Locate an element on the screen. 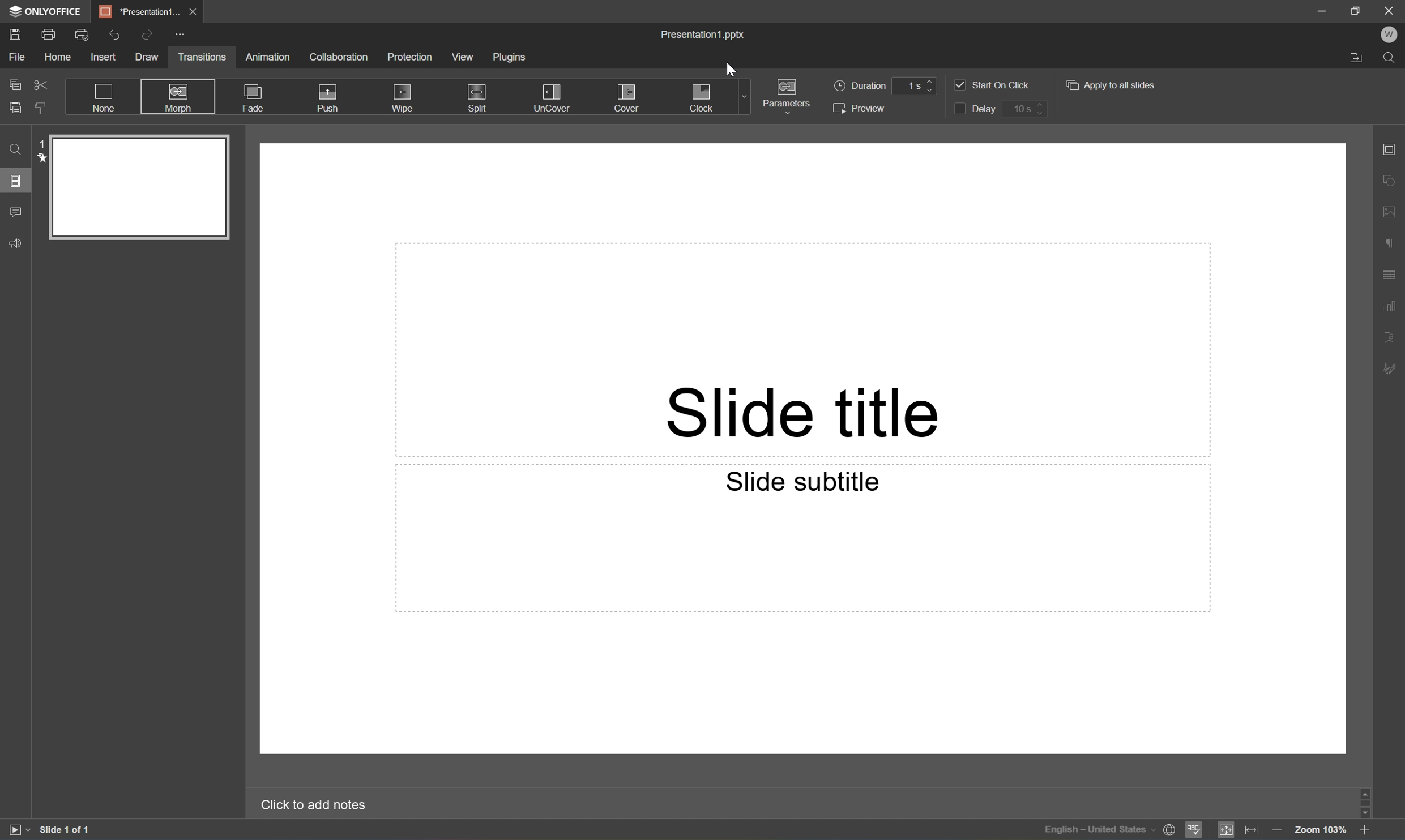 This screenshot has height=840, width=1405. Cursor is located at coordinates (730, 68).